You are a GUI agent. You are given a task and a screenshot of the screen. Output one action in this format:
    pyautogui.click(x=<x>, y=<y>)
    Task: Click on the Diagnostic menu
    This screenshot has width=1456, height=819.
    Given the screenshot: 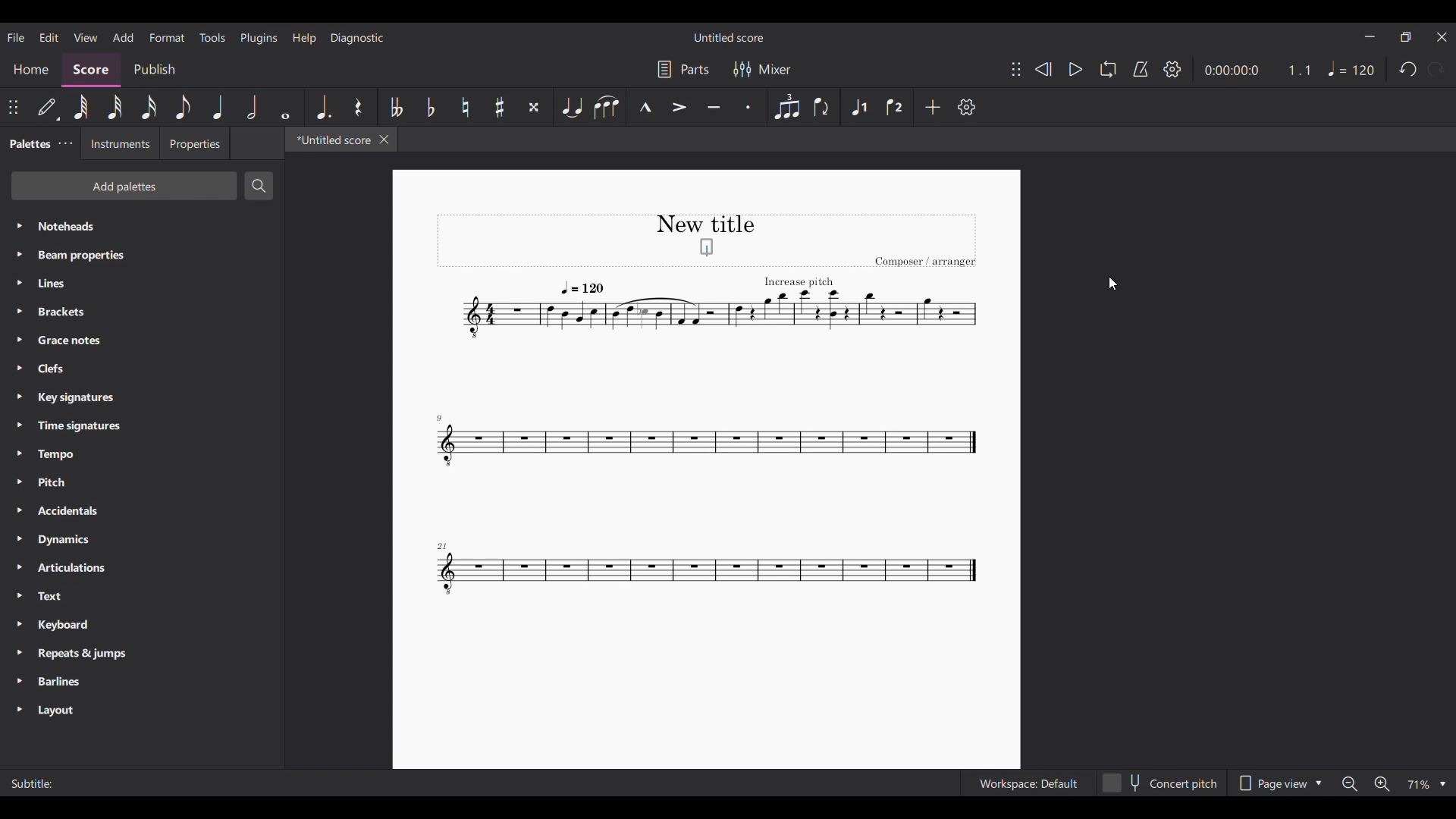 What is the action you would take?
    pyautogui.click(x=357, y=38)
    